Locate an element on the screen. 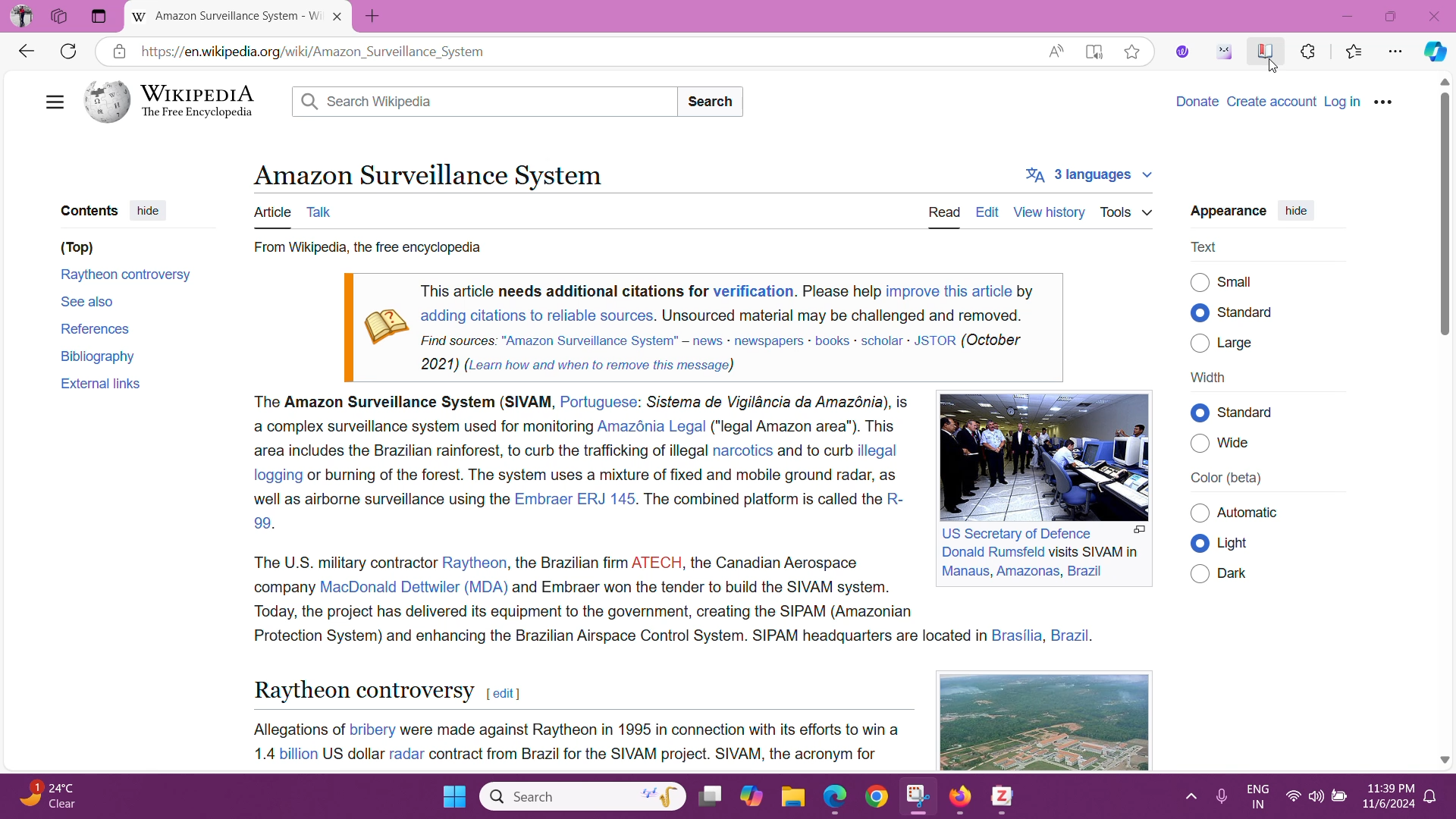 The width and height of the screenshot is (1456, 819).  is located at coordinates (1263, 412).